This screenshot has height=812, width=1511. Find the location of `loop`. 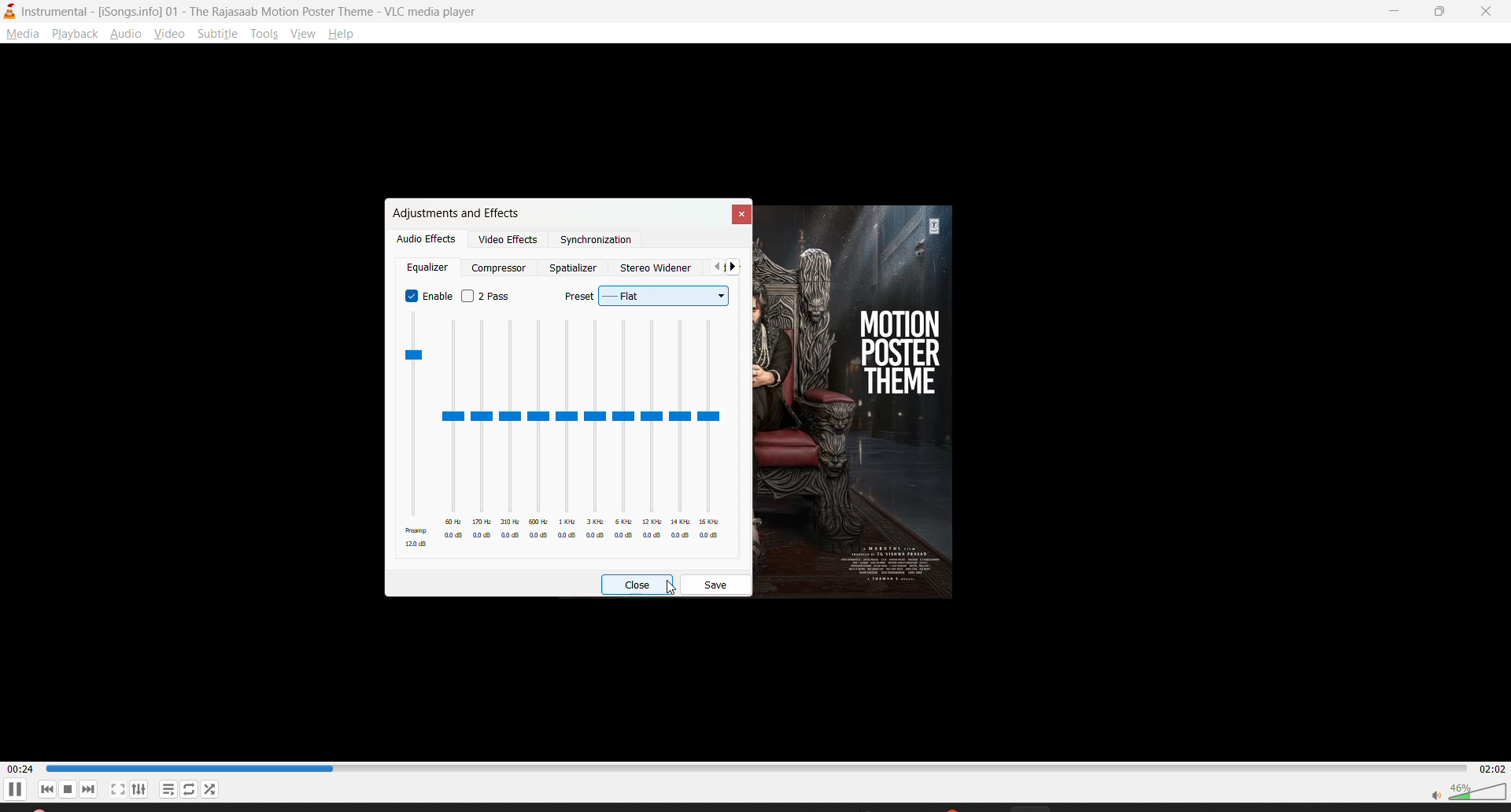

loop is located at coordinates (190, 788).